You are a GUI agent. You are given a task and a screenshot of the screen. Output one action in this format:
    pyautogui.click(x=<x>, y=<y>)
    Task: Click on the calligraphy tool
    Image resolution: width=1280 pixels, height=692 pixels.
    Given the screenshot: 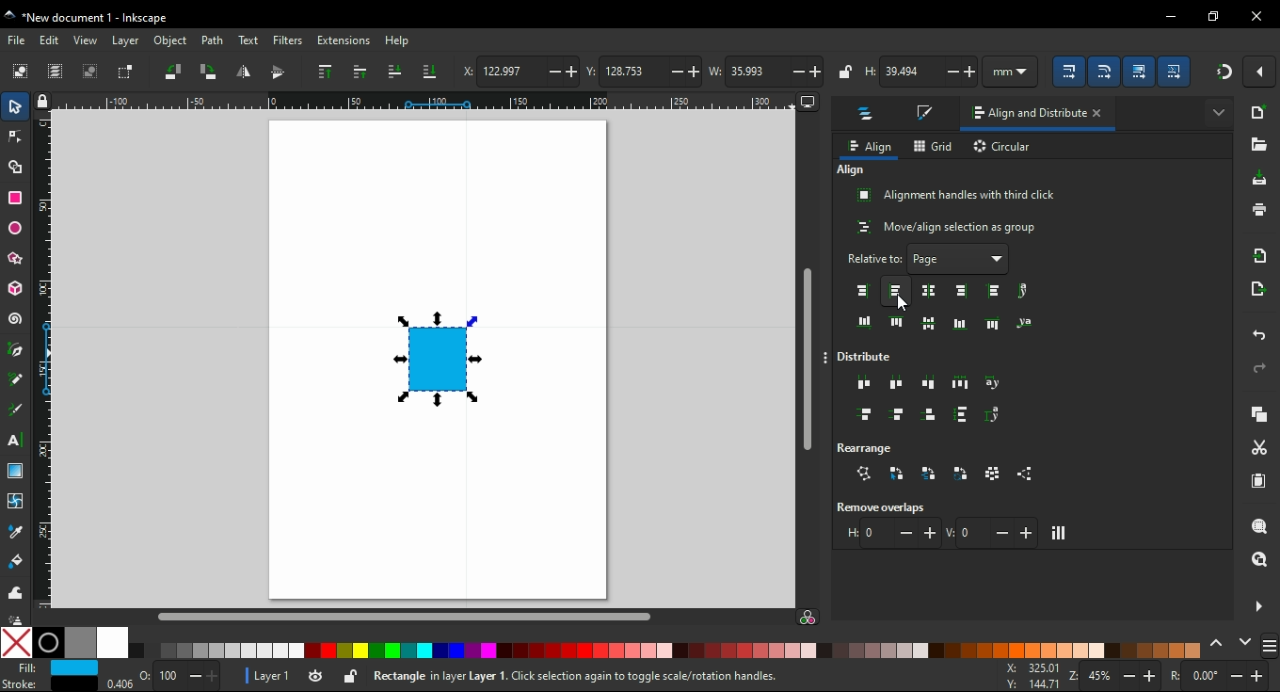 What is the action you would take?
    pyautogui.click(x=16, y=408)
    